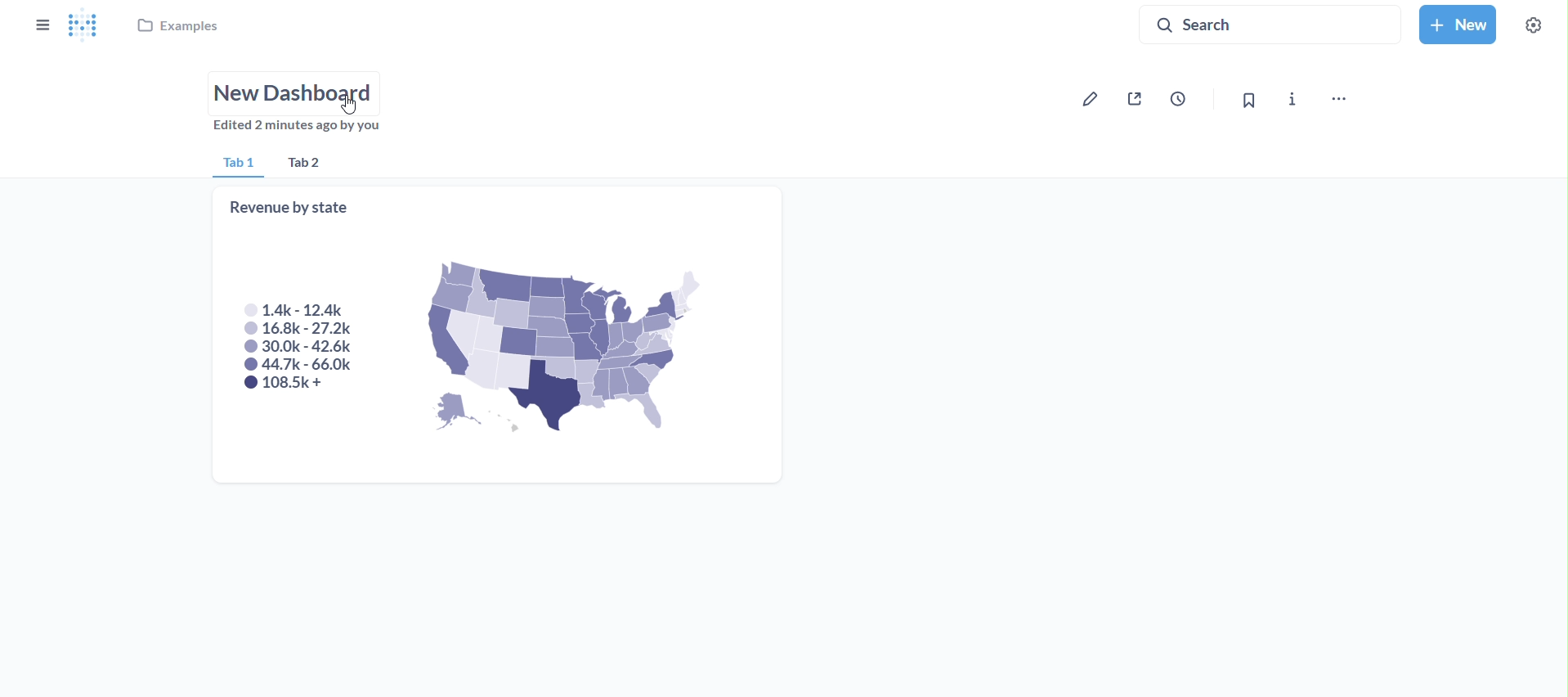 The image size is (1568, 697). I want to click on search, so click(1269, 25).